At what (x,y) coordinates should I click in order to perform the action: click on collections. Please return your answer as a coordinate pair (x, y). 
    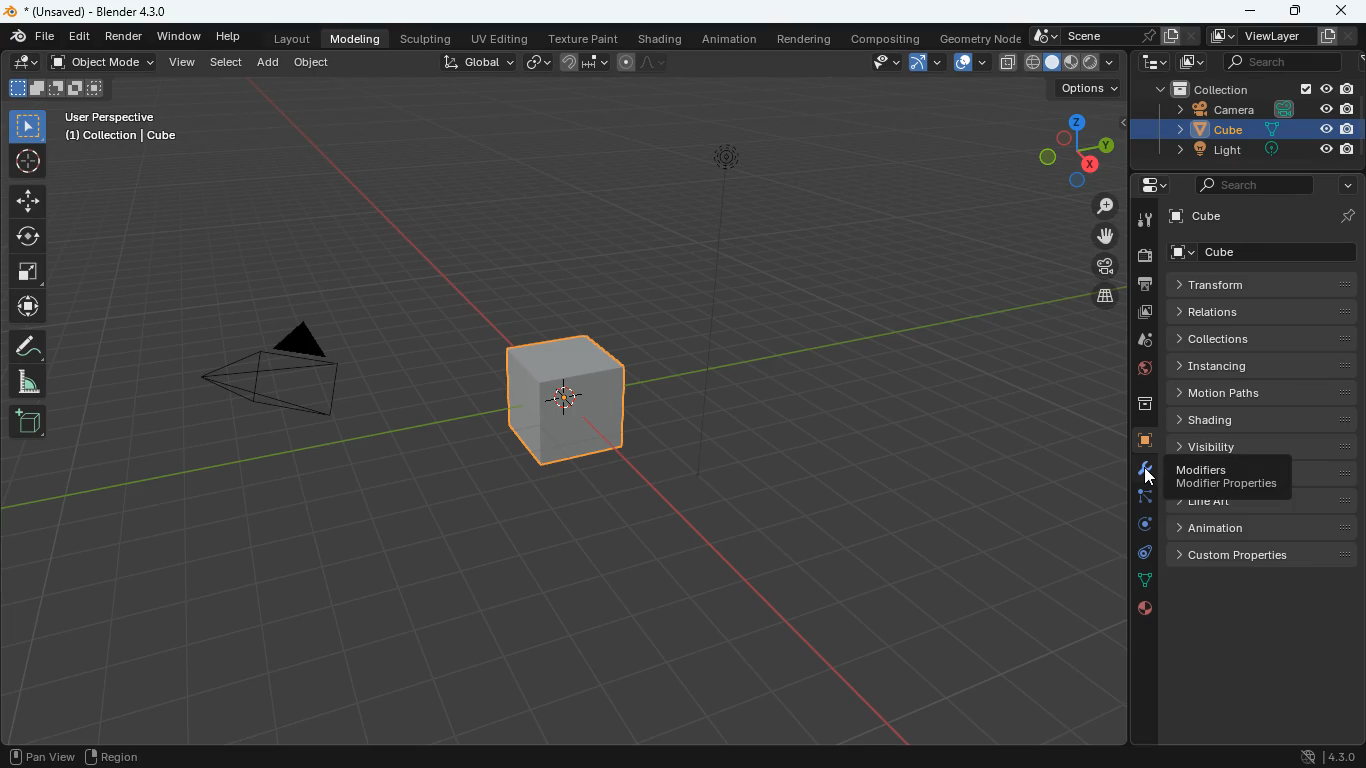
    Looking at the image, I should click on (1263, 337).